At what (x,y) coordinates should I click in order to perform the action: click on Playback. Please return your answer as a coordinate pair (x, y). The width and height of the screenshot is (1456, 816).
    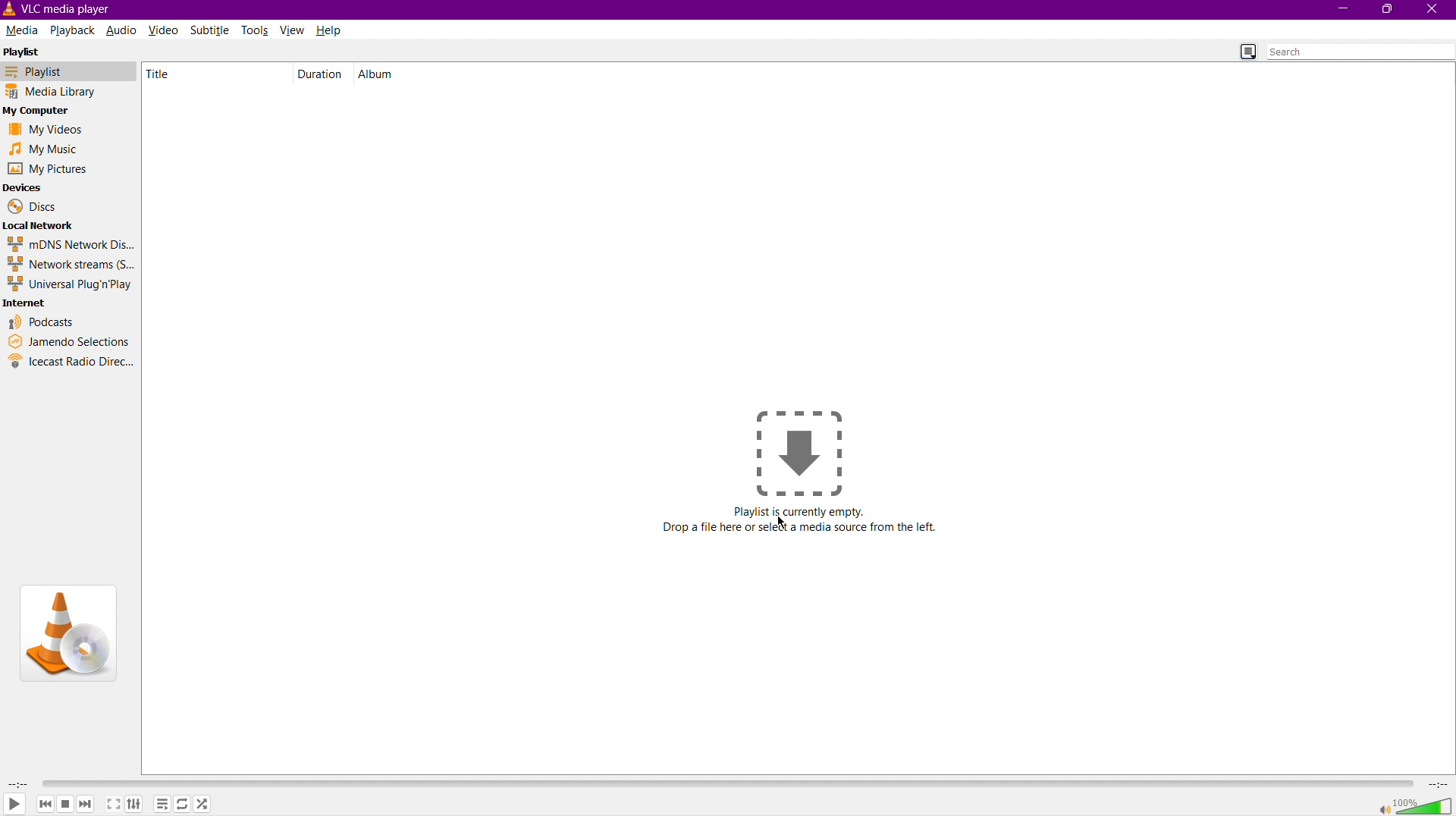
    Looking at the image, I should click on (71, 29).